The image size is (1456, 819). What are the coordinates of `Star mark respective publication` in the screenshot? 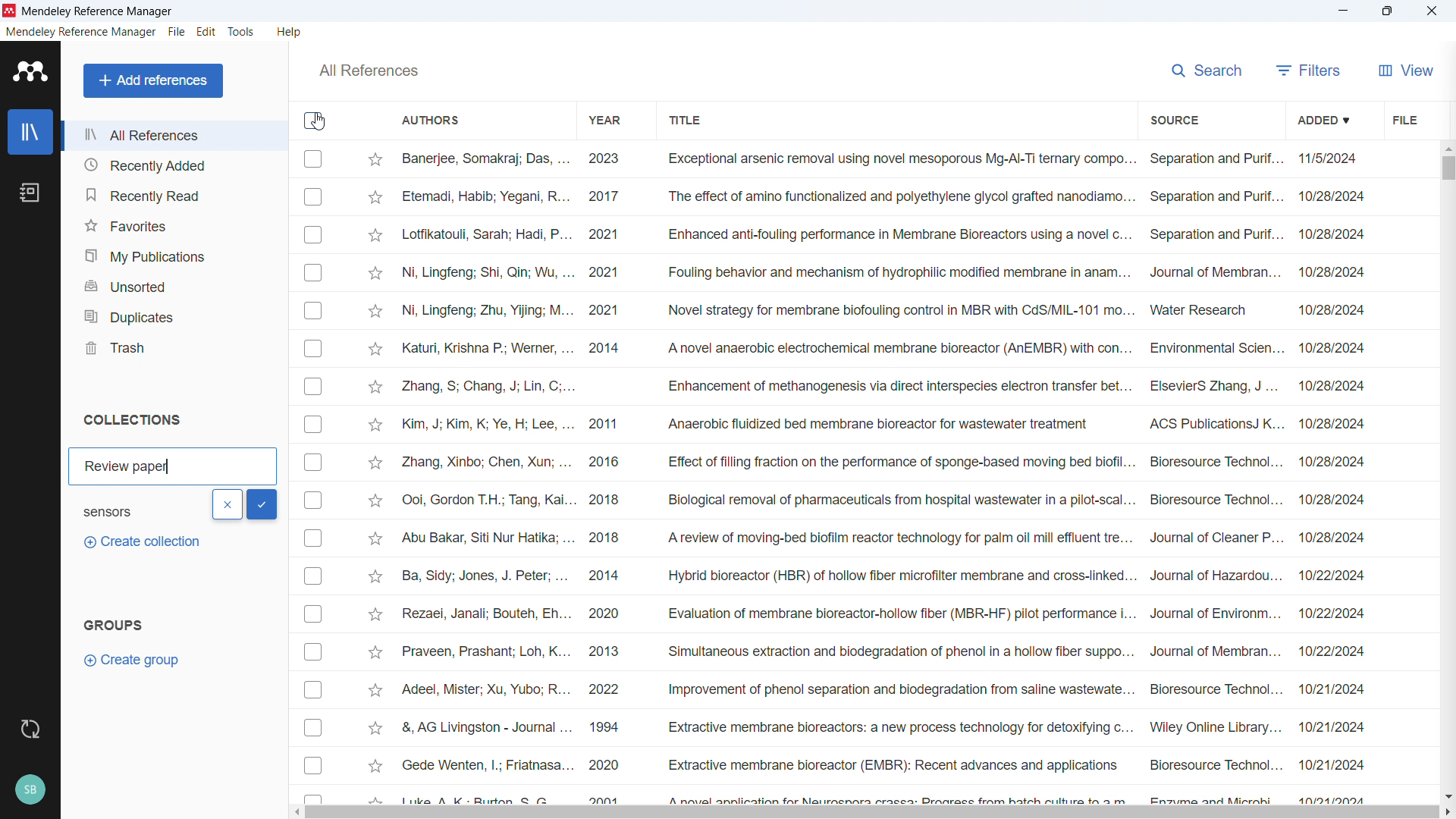 It's located at (375, 388).